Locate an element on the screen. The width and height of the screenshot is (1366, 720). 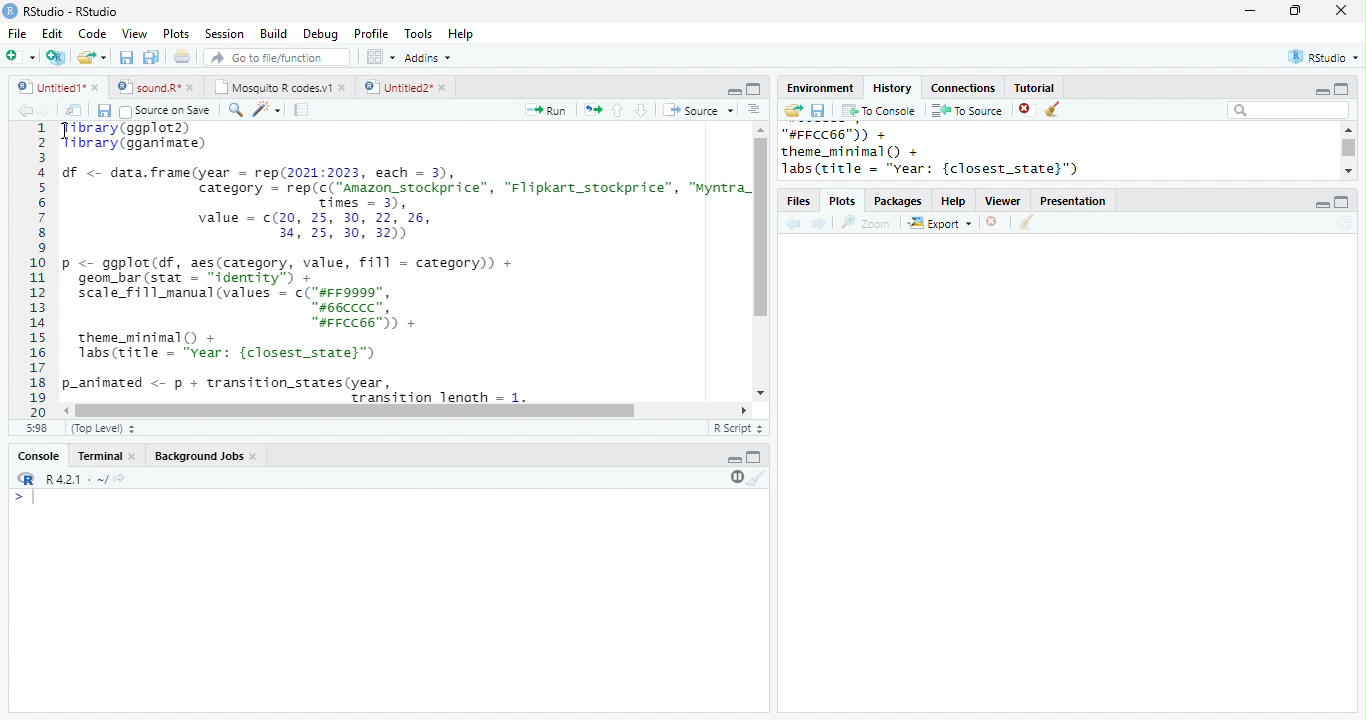
Terminal is located at coordinates (98, 456).